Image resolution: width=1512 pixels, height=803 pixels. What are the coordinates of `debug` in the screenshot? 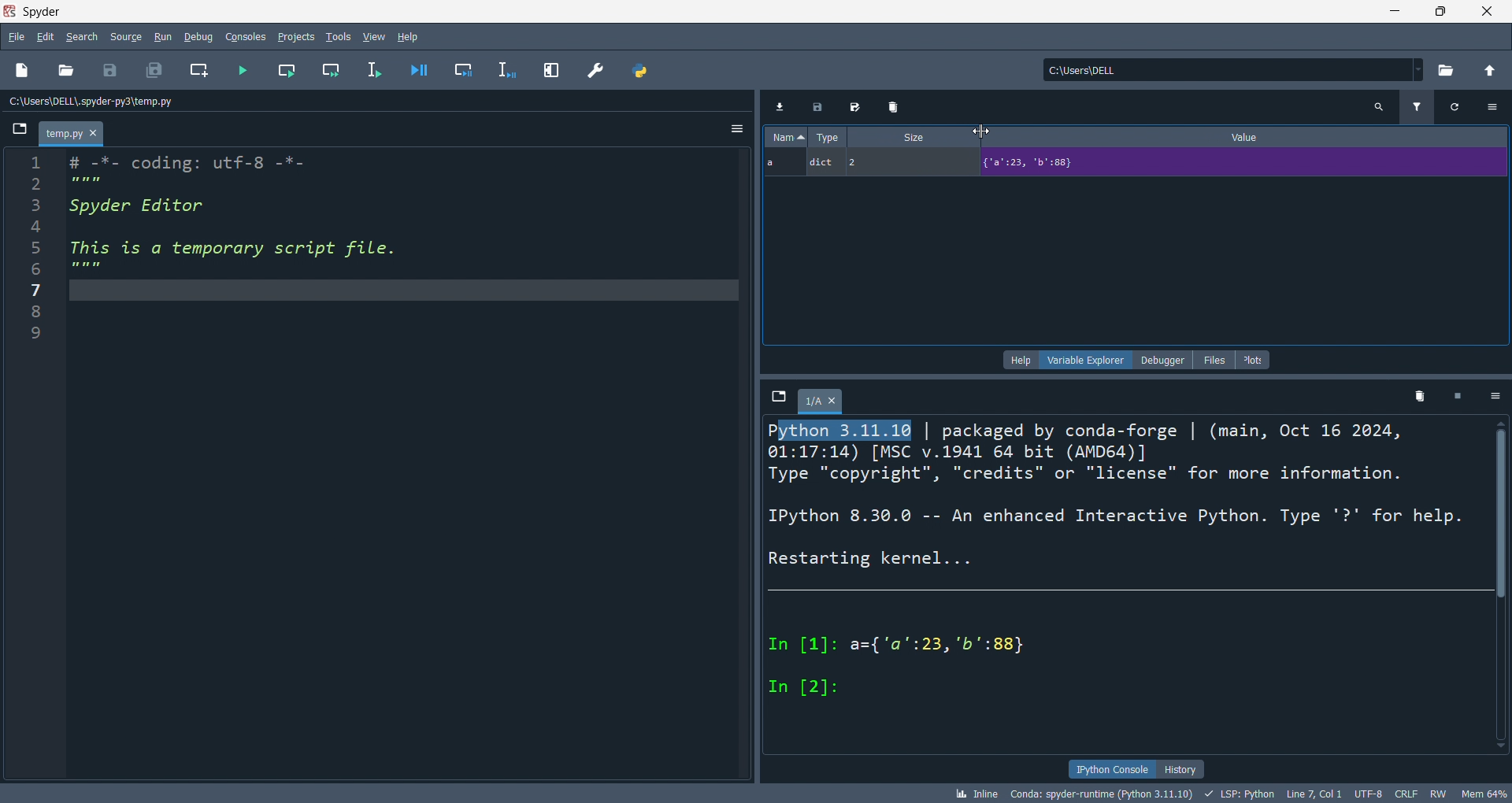 It's located at (196, 36).